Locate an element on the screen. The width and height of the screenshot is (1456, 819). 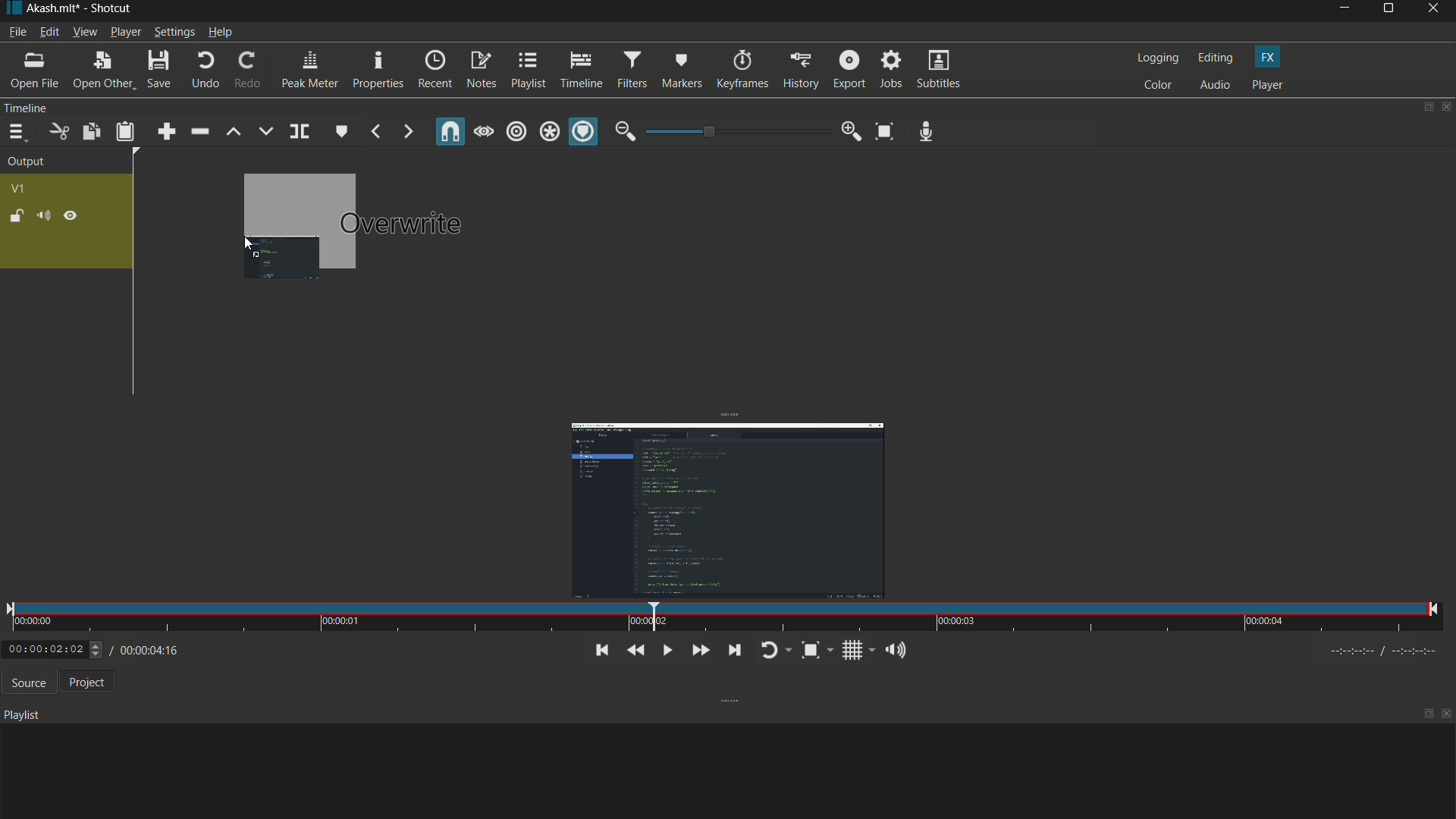
player menu is located at coordinates (126, 31).